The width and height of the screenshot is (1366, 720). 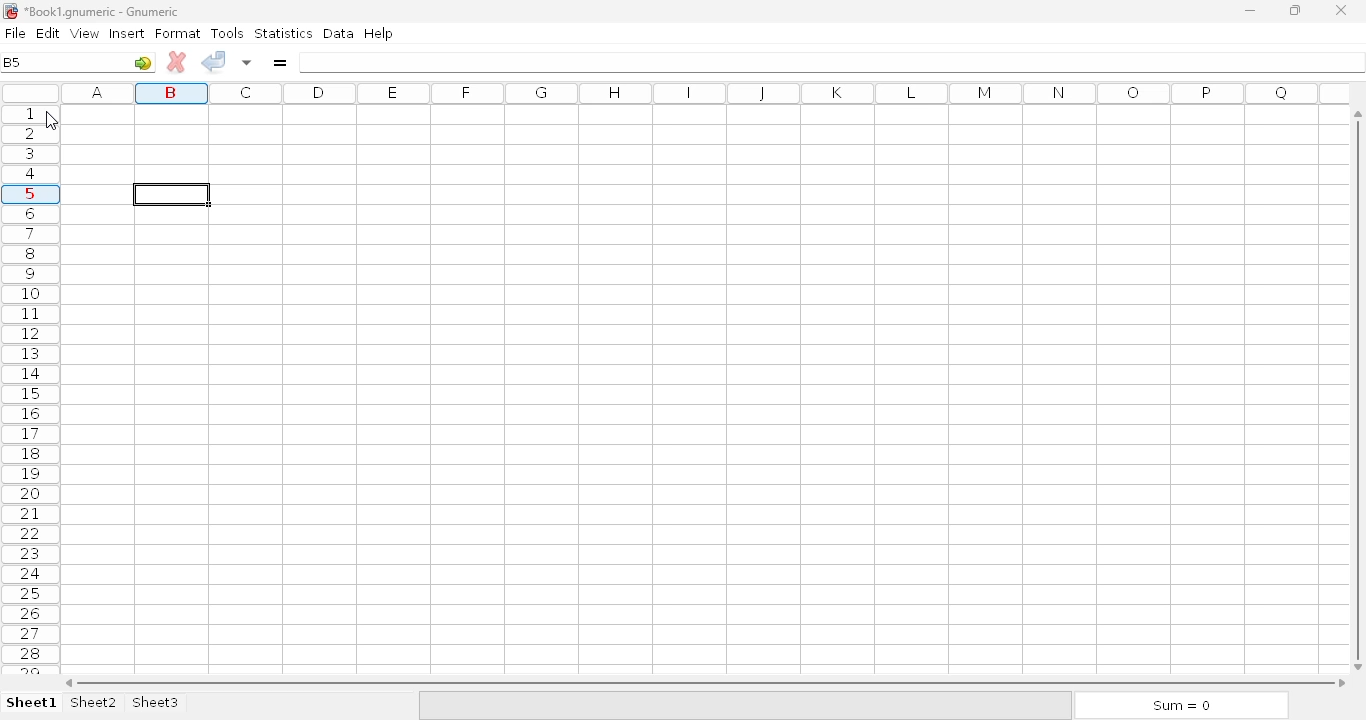 What do you see at coordinates (127, 33) in the screenshot?
I see `insert` at bounding box center [127, 33].